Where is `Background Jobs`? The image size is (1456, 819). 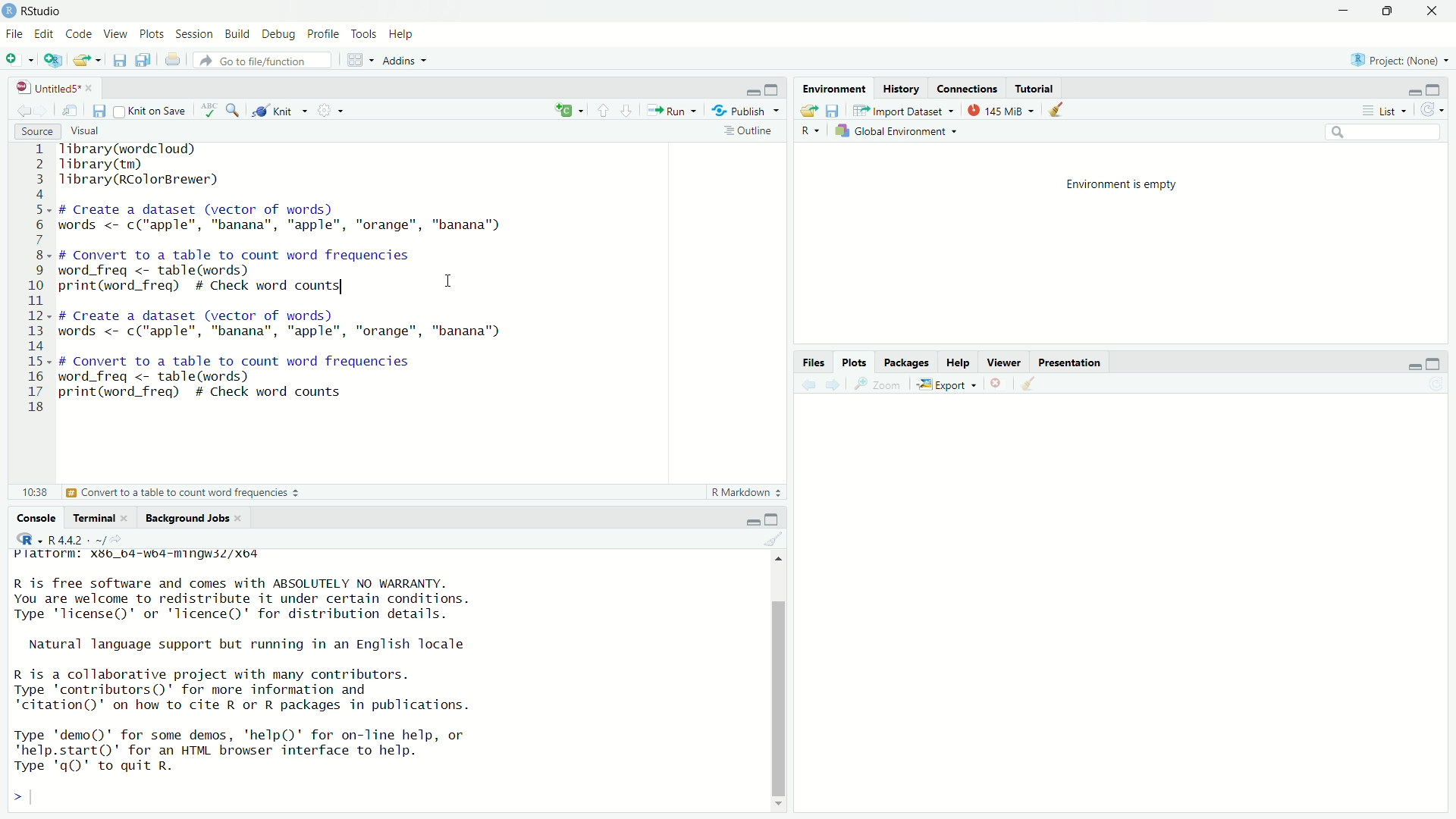
Background Jobs is located at coordinates (195, 517).